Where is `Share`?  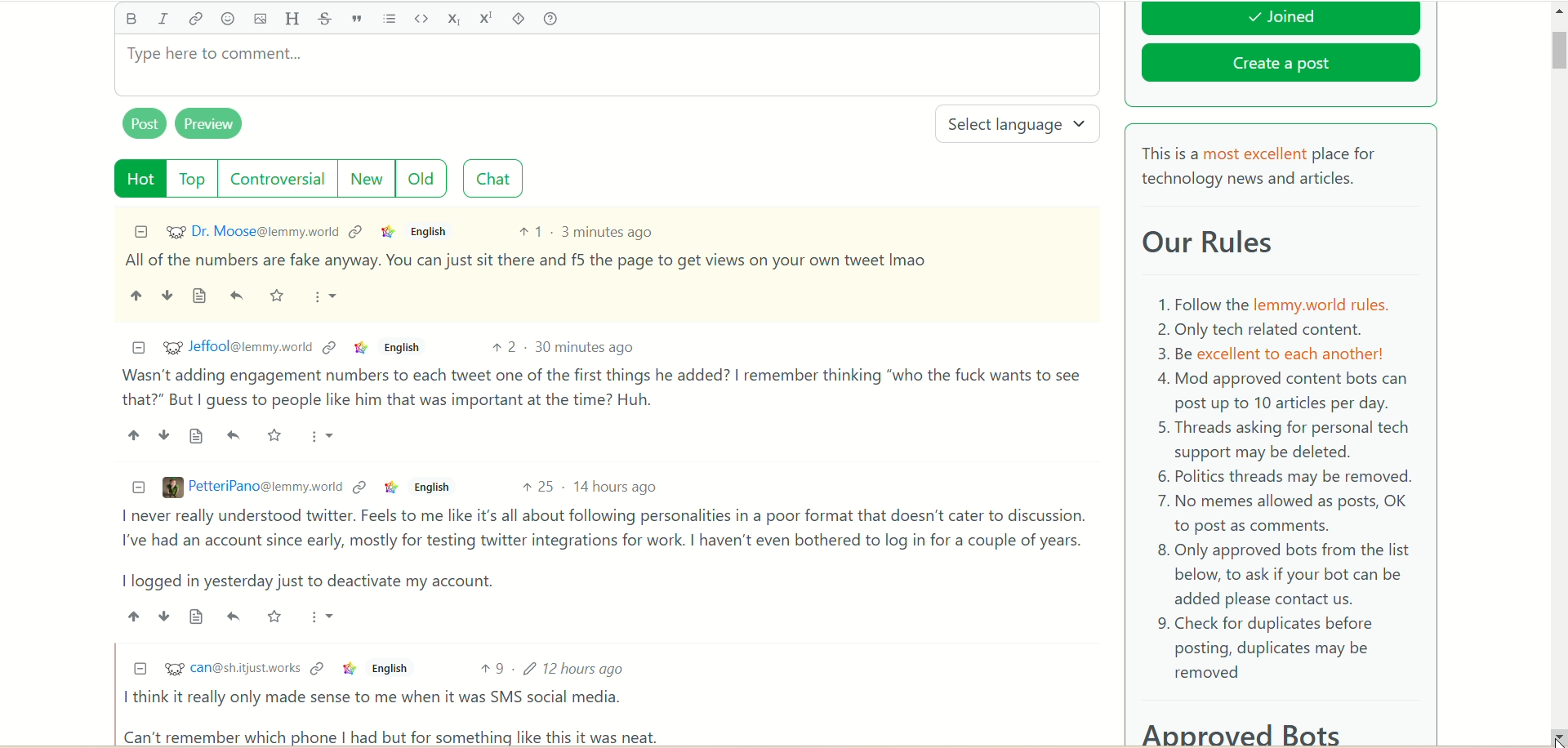 Share is located at coordinates (234, 615).